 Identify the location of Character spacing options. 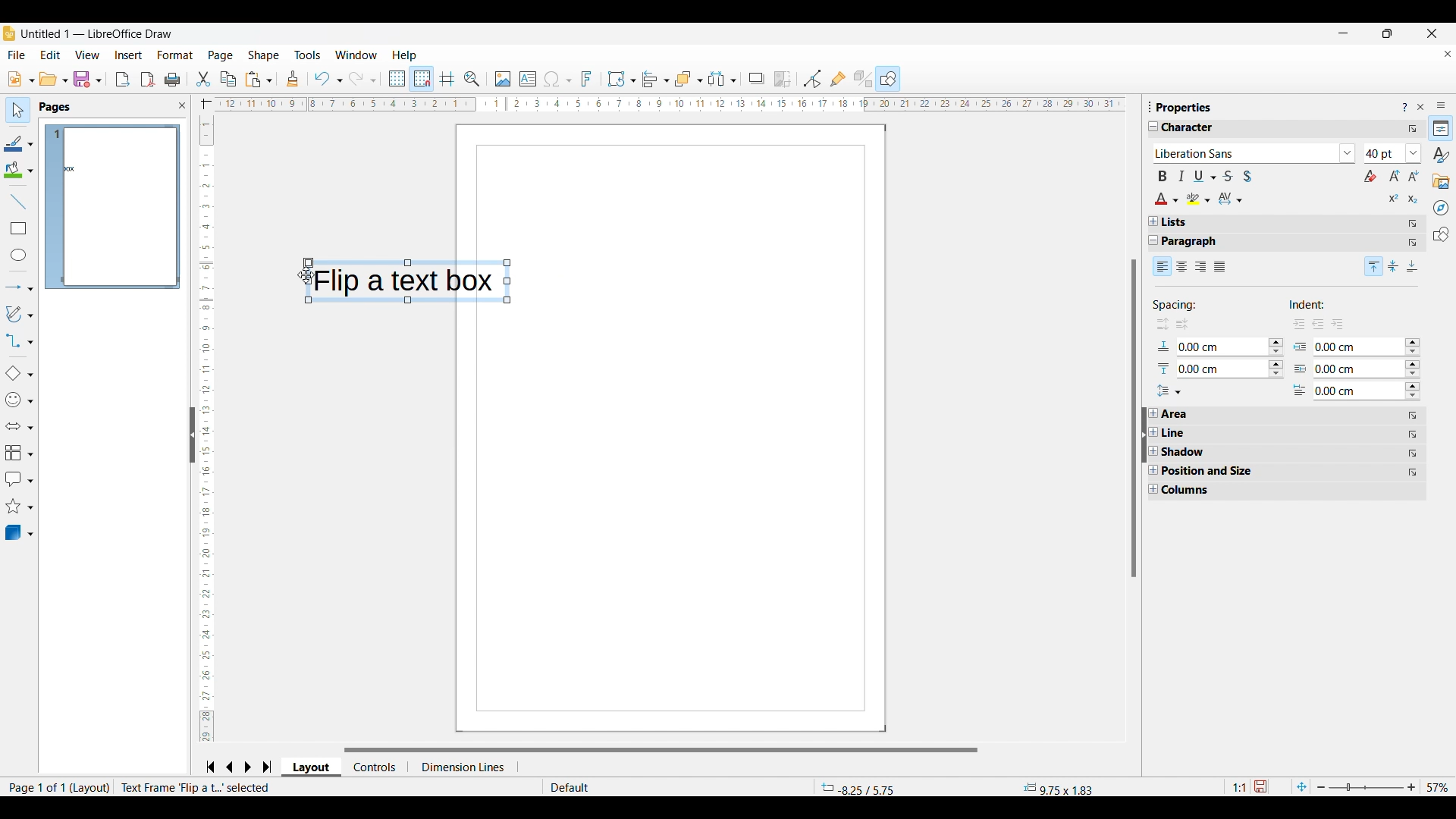
(1231, 199).